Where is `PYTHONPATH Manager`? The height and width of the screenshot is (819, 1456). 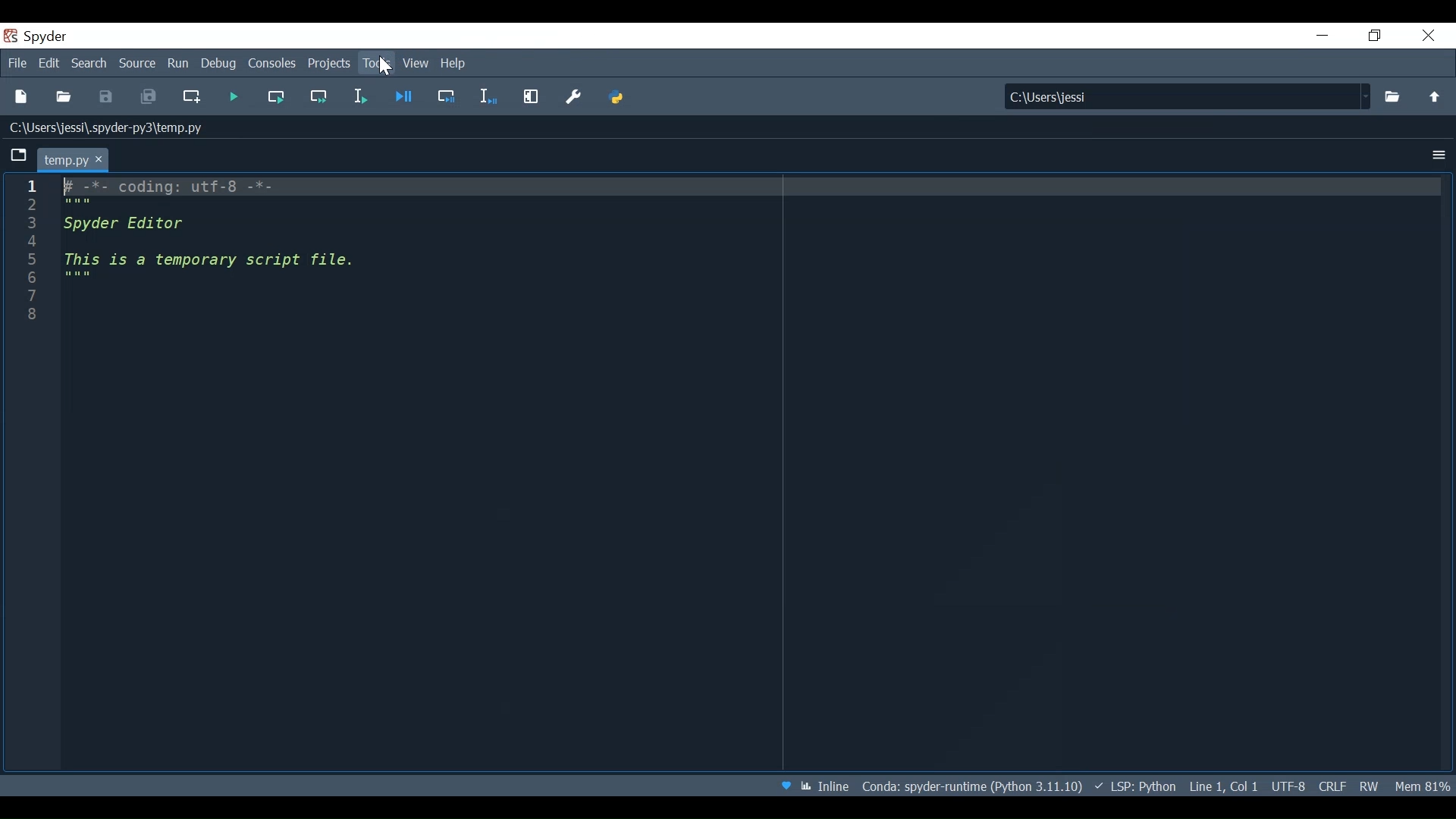
PYTHONPATH Manager is located at coordinates (617, 99).